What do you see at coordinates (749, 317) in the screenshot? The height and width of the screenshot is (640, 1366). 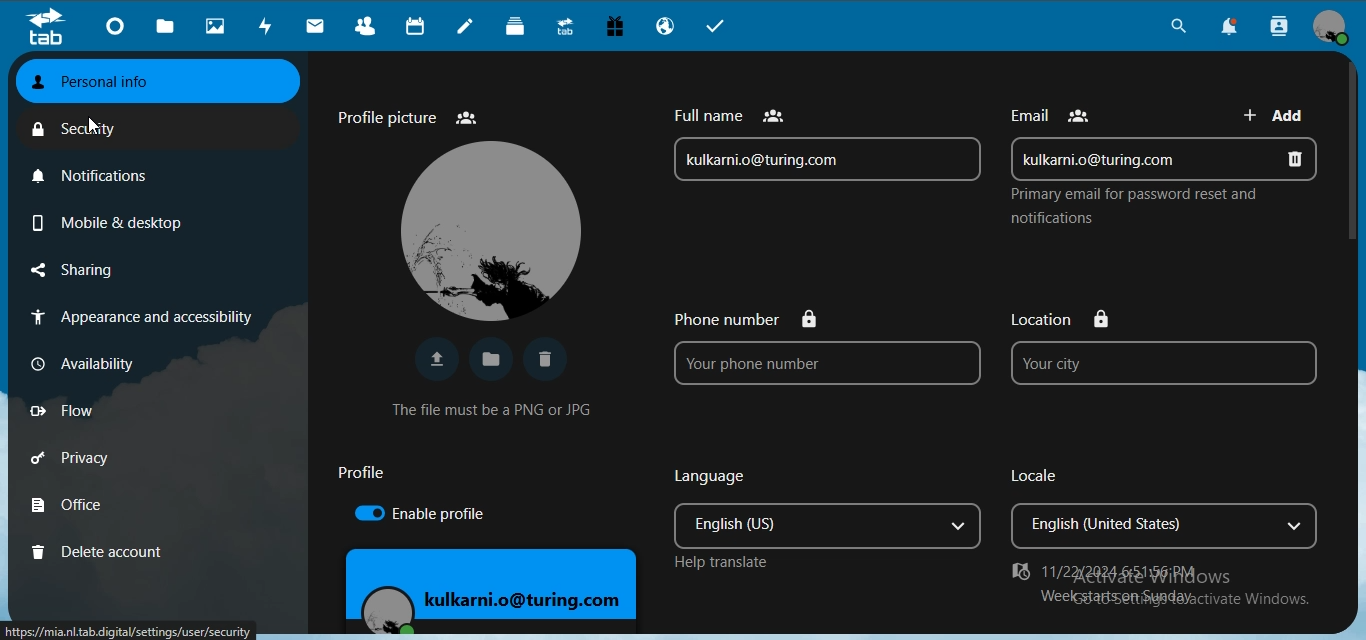 I see `phone number` at bounding box center [749, 317].